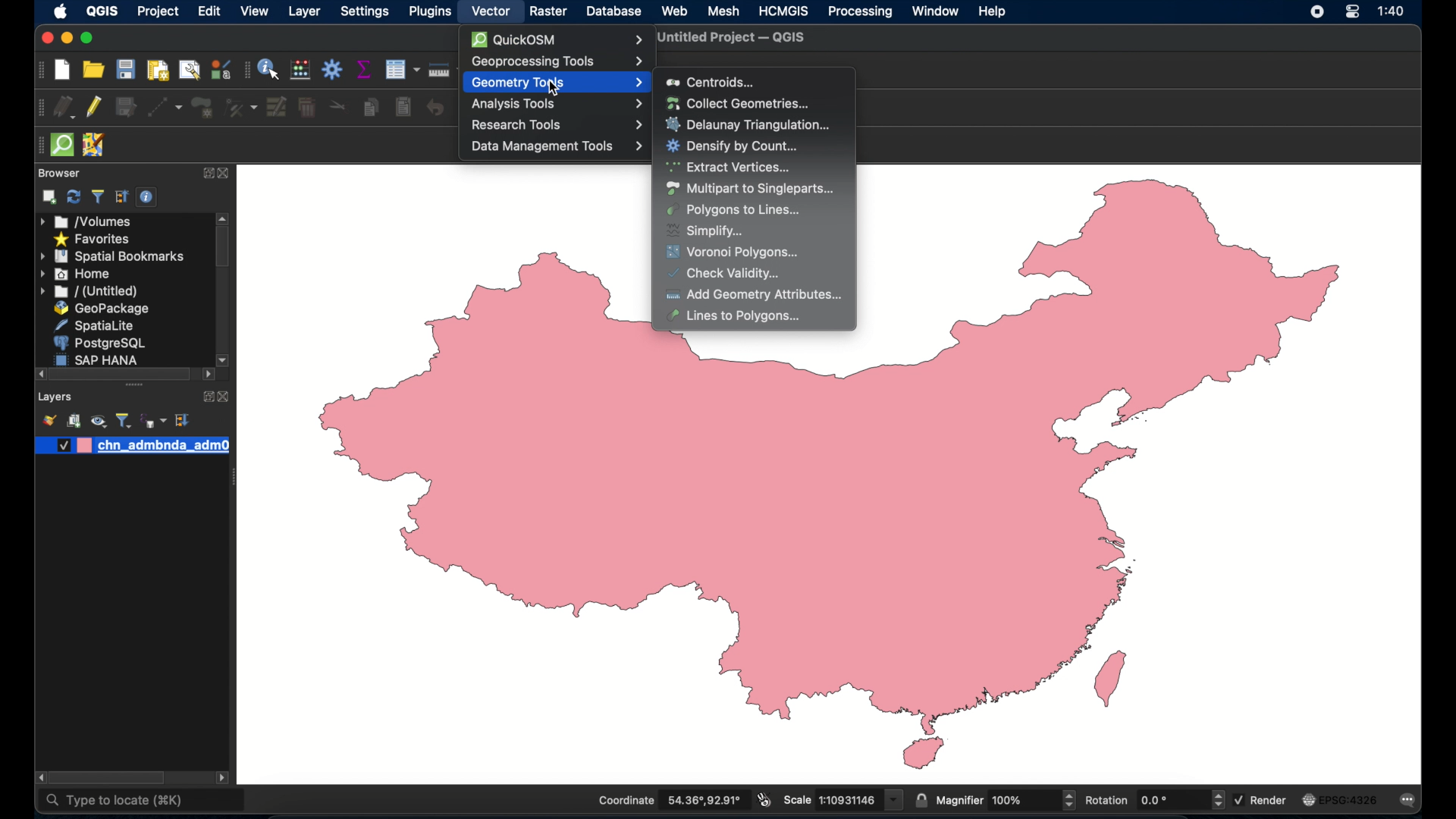  Describe the element at coordinates (337, 106) in the screenshot. I see `cut features` at that location.